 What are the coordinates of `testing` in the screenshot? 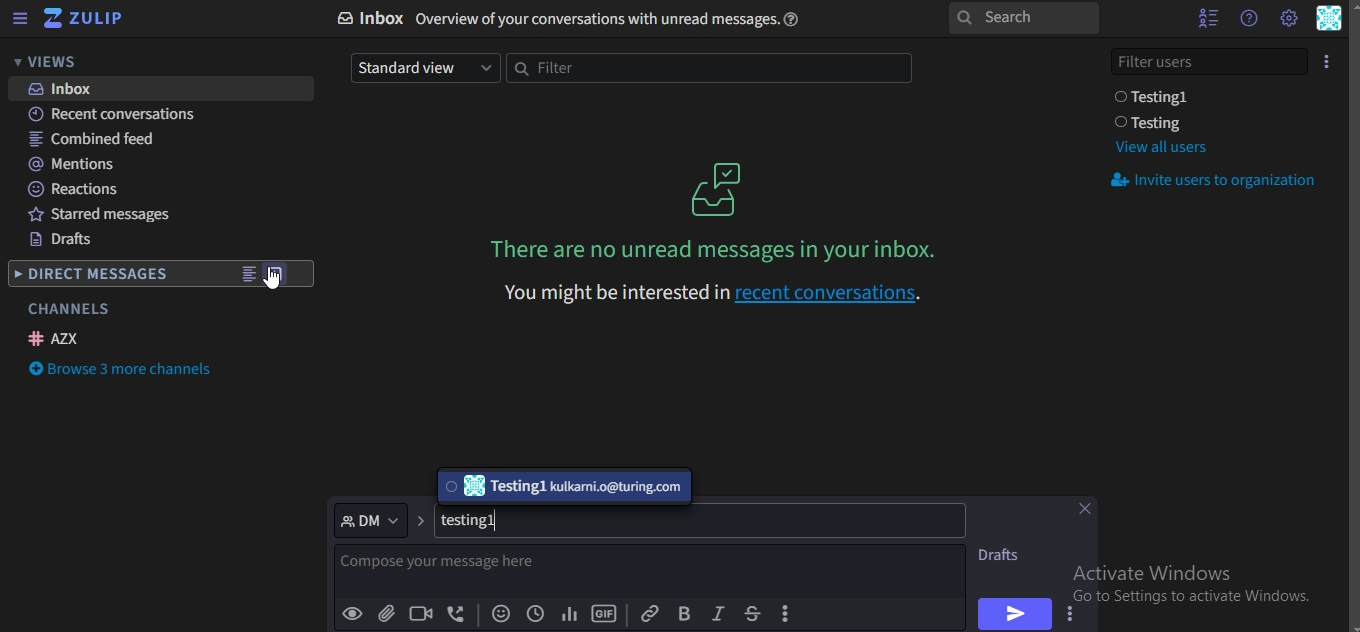 It's located at (1153, 123).